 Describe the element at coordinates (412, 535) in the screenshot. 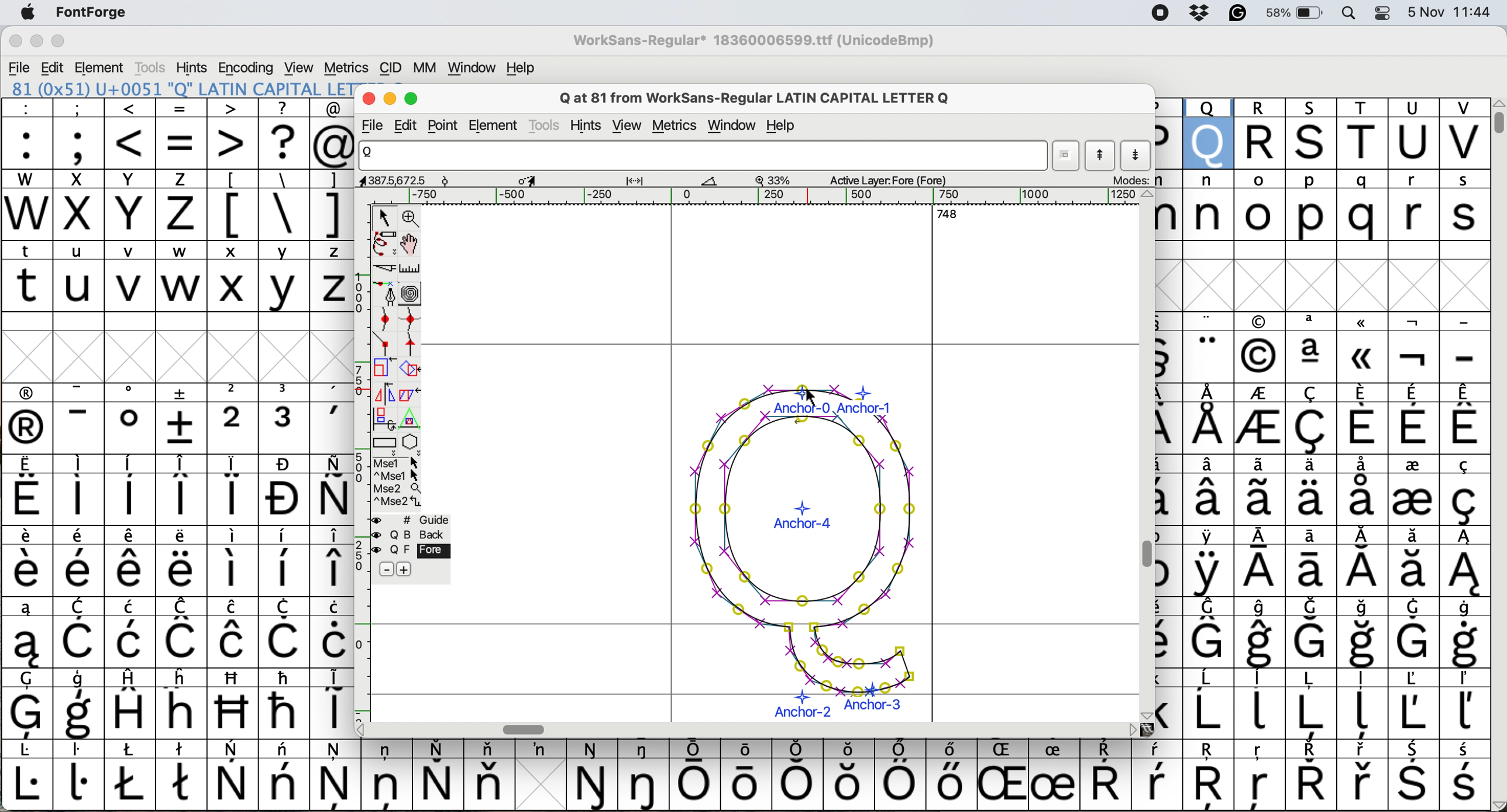

I see `back` at that location.